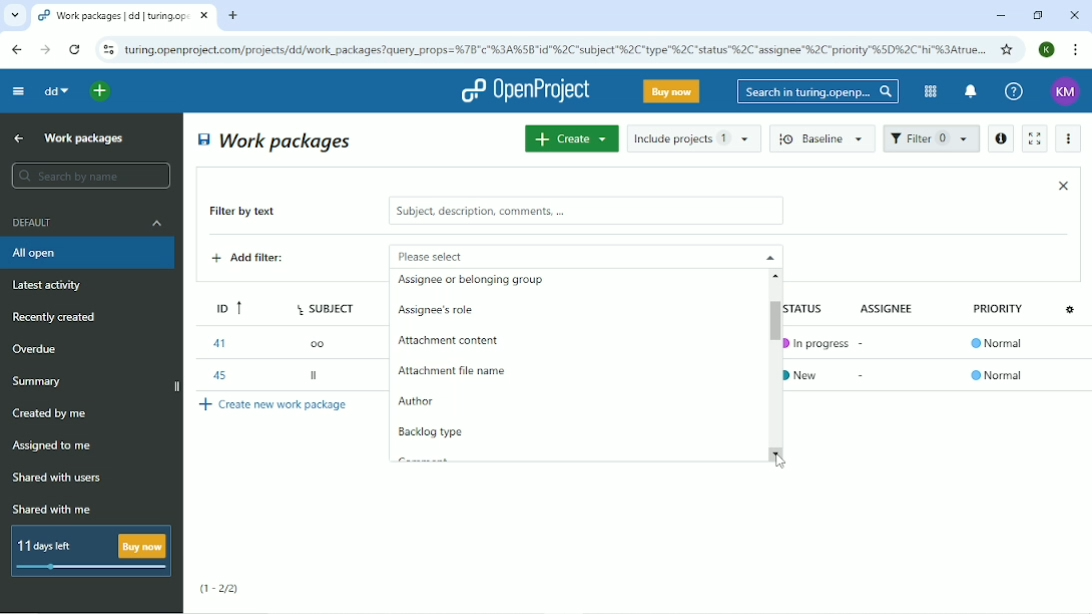  What do you see at coordinates (316, 378) in the screenshot?
I see `ll` at bounding box center [316, 378].